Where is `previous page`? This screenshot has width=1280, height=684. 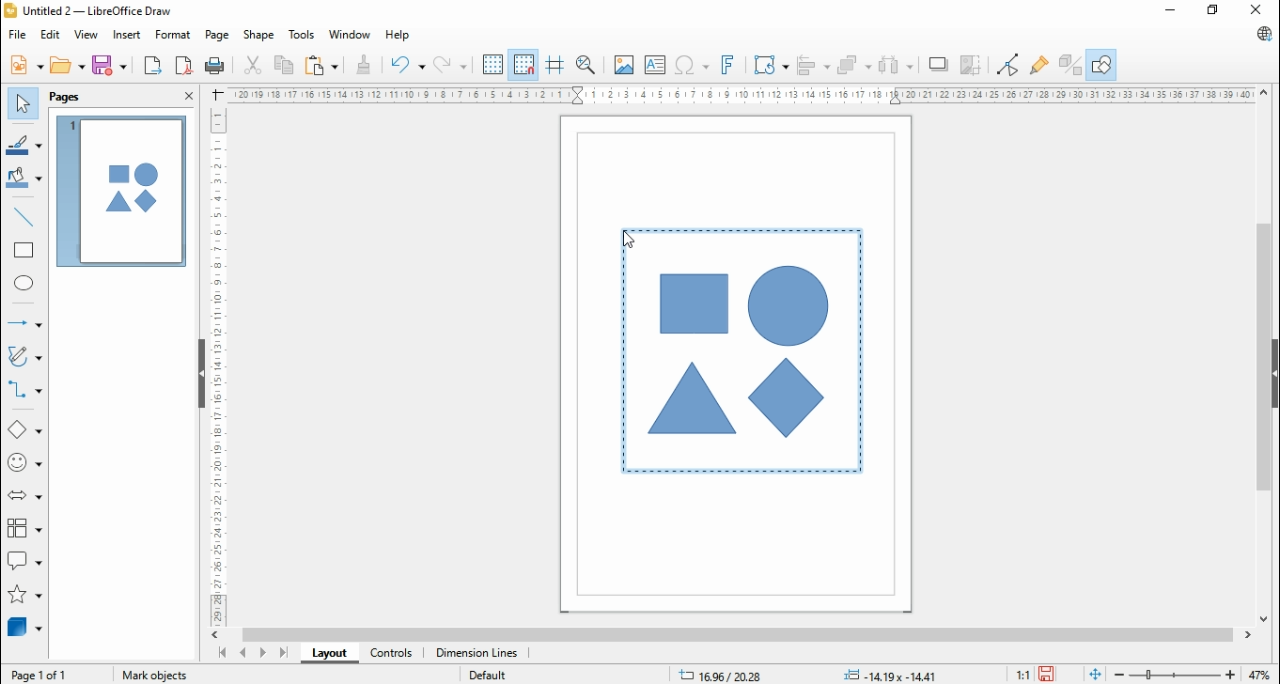 previous page is located at coordinates (243, 652).